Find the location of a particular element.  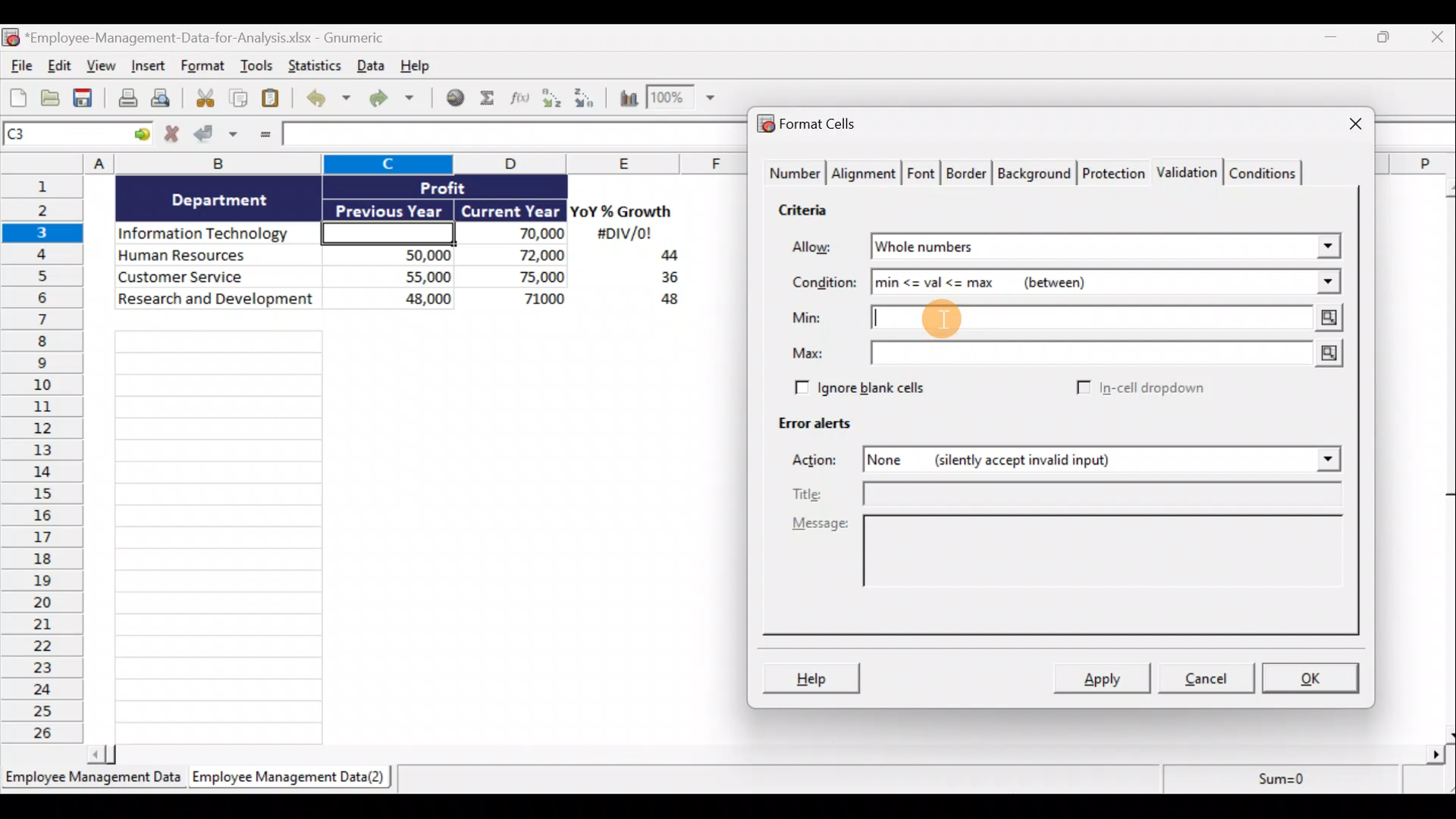

Actions is located at coordinates (823, 462).